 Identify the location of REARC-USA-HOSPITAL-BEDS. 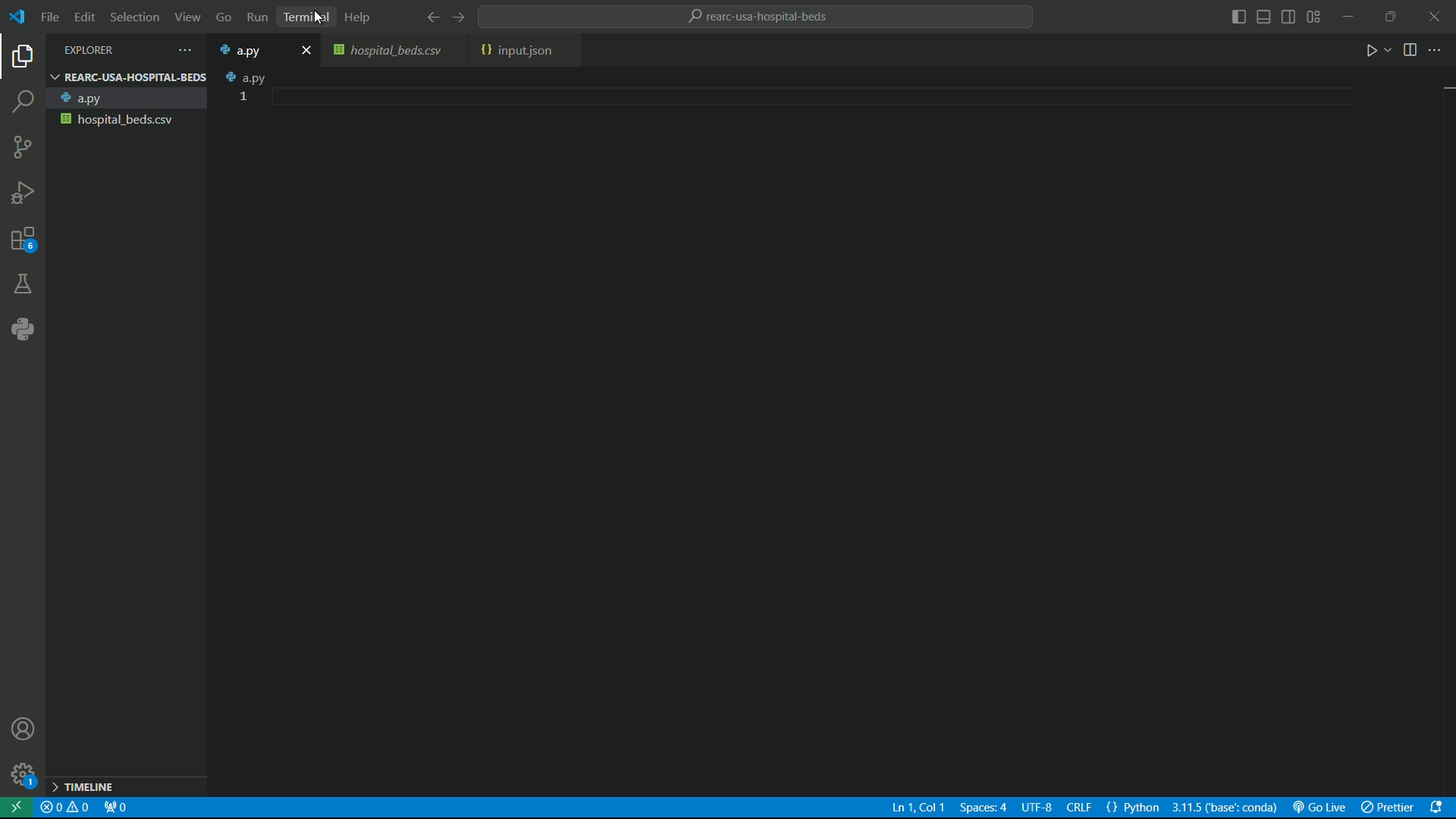
(127, 77).